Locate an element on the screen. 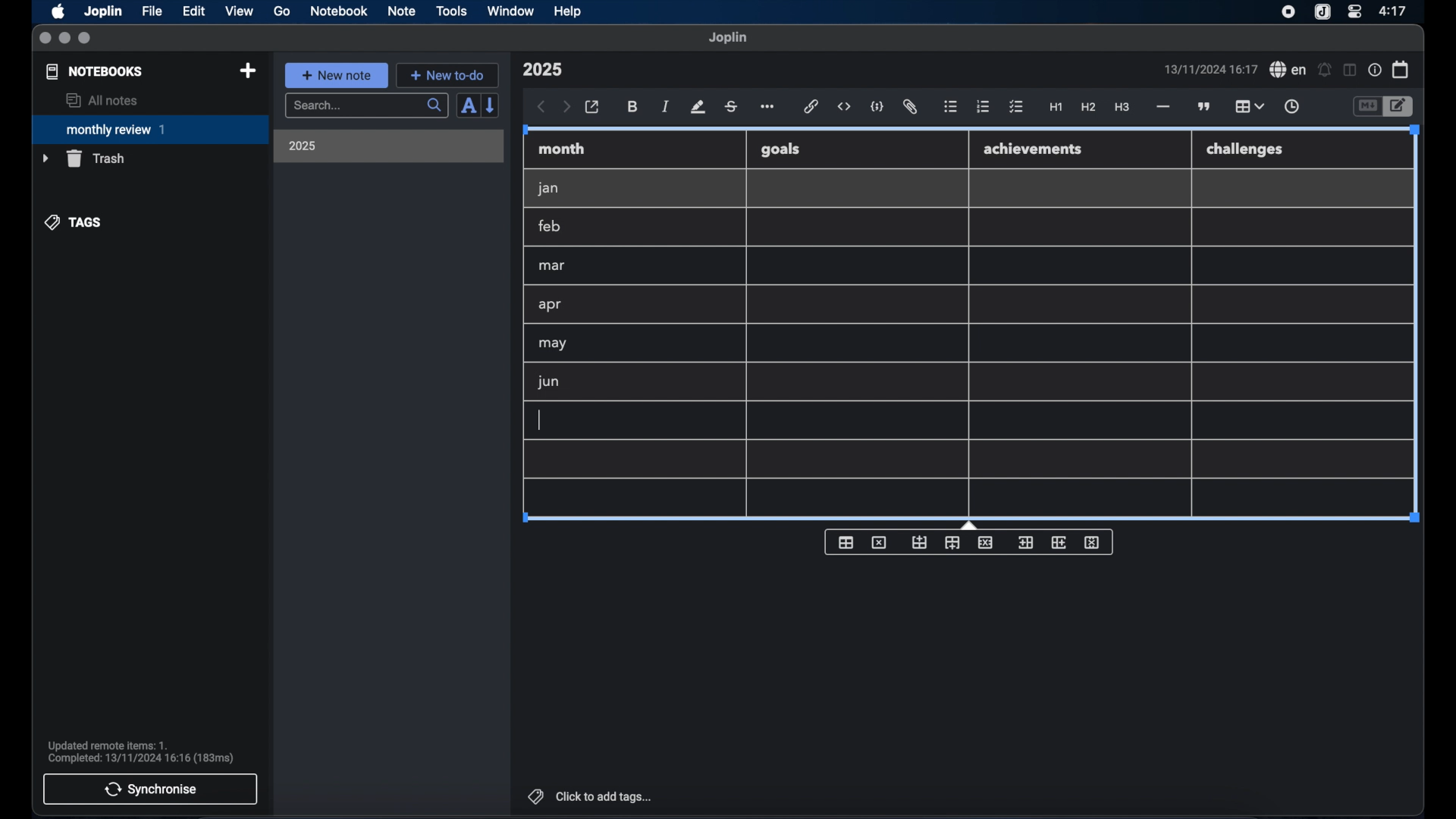 The image size is (1456, 819). reverse sort order is located at coordinates (491, 105).